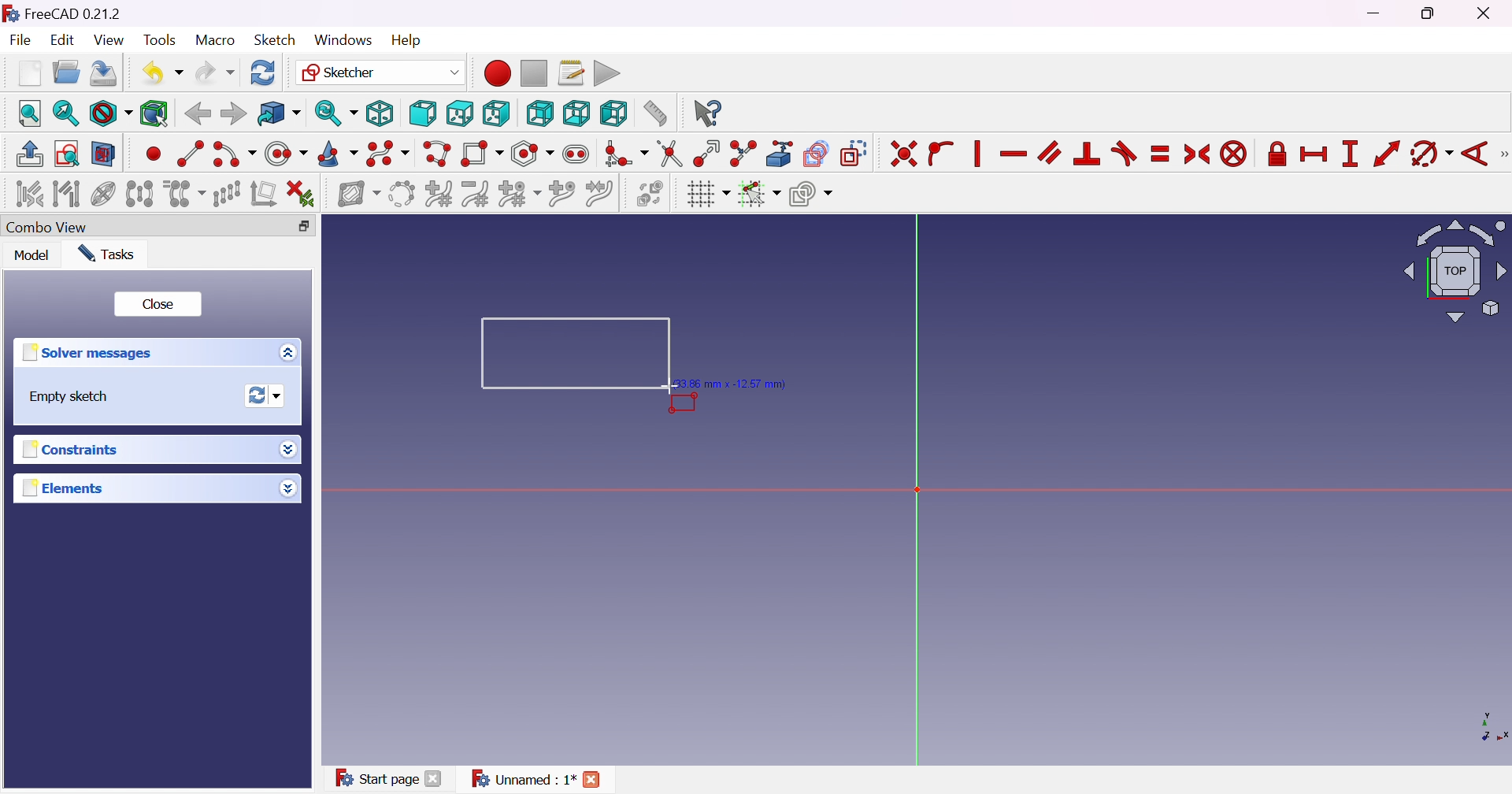 The image size is (1512, 794). I want to click on Restore down, so click(304, 227).